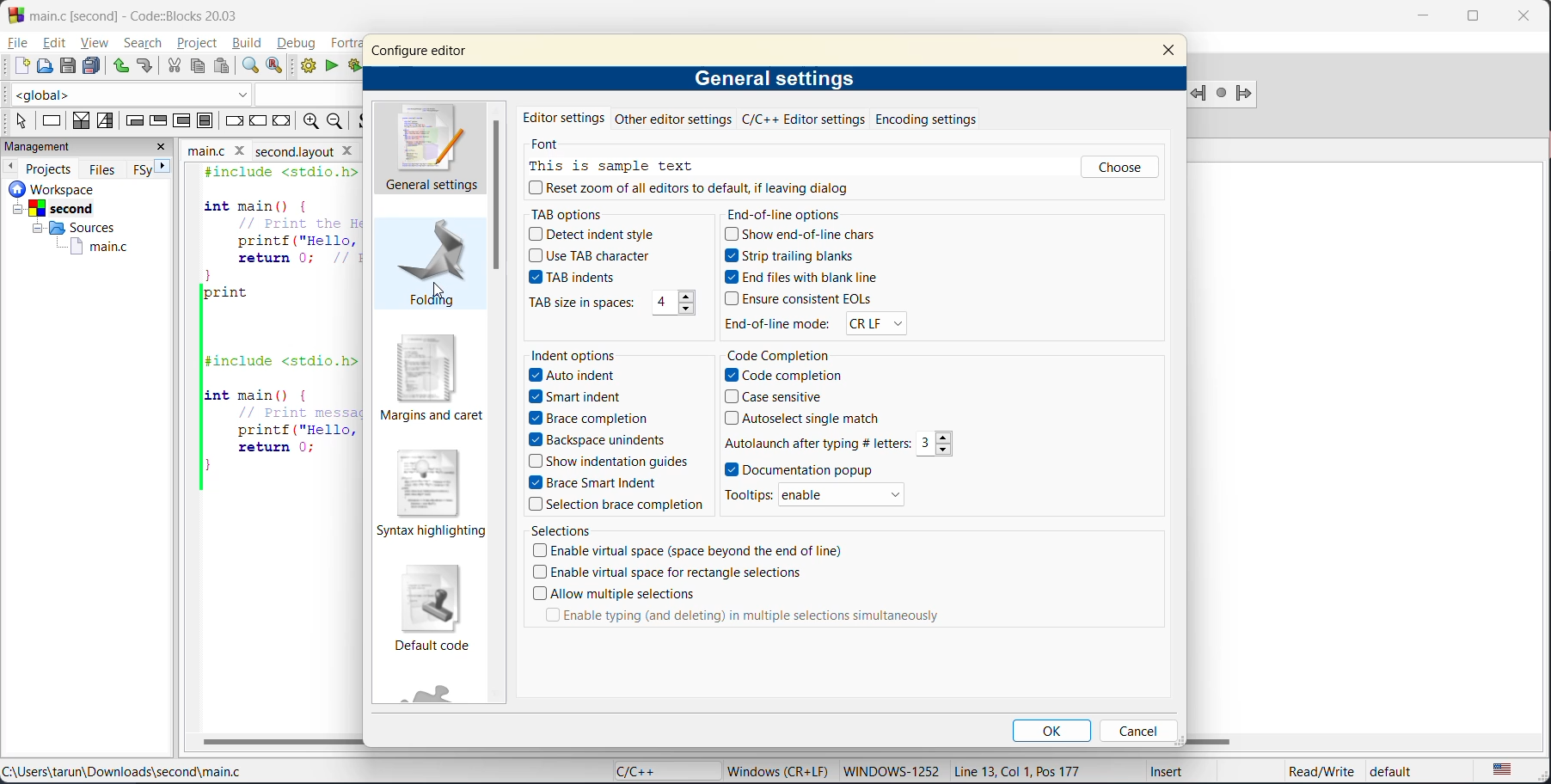  What do you see at coordinates (1139, 732) in the screenshot?
I see `cancel` at bounding box center [1139, 732].